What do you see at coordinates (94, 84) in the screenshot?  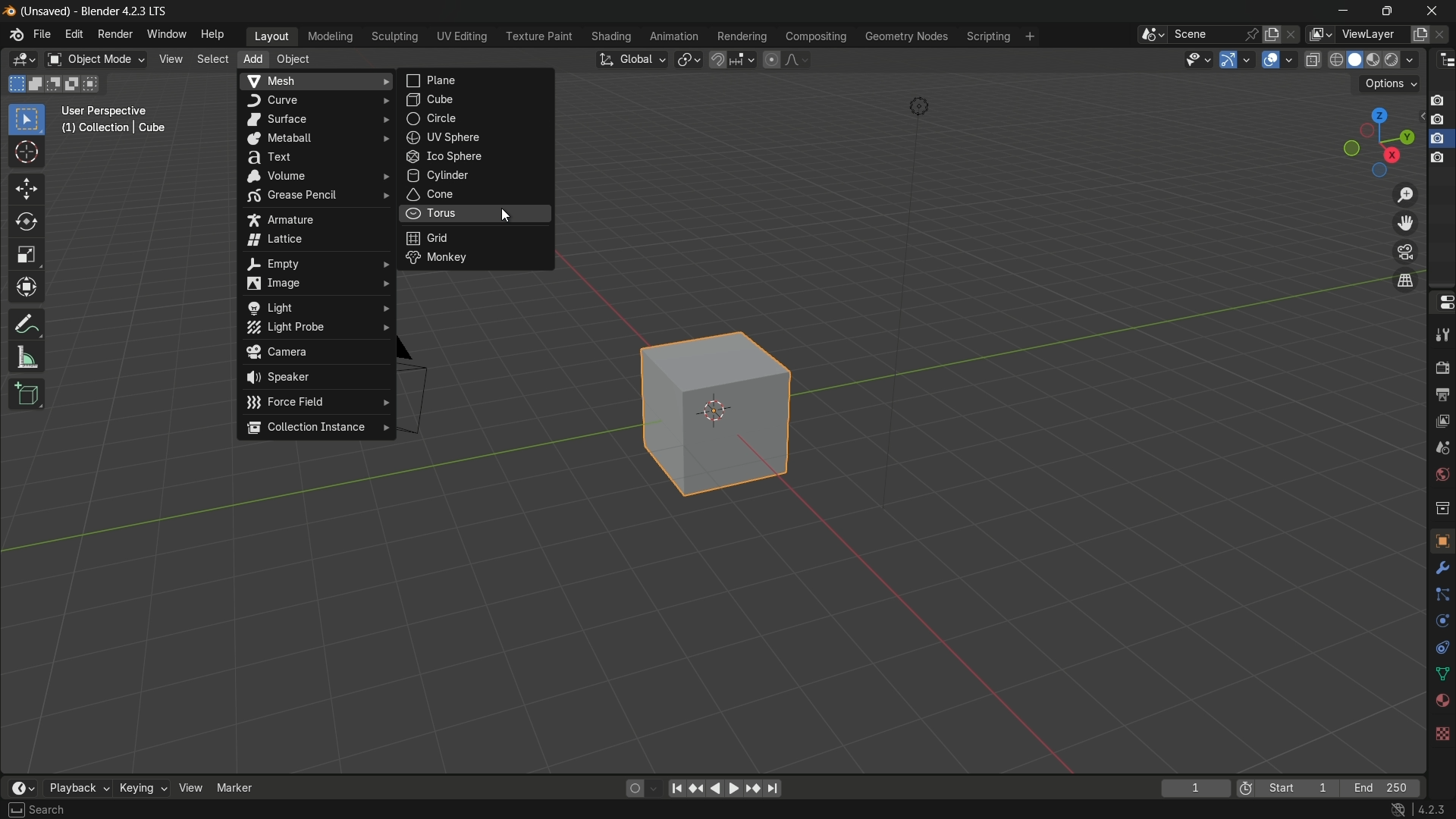 I see `merge existing selection` at bounding box center [94, 84].